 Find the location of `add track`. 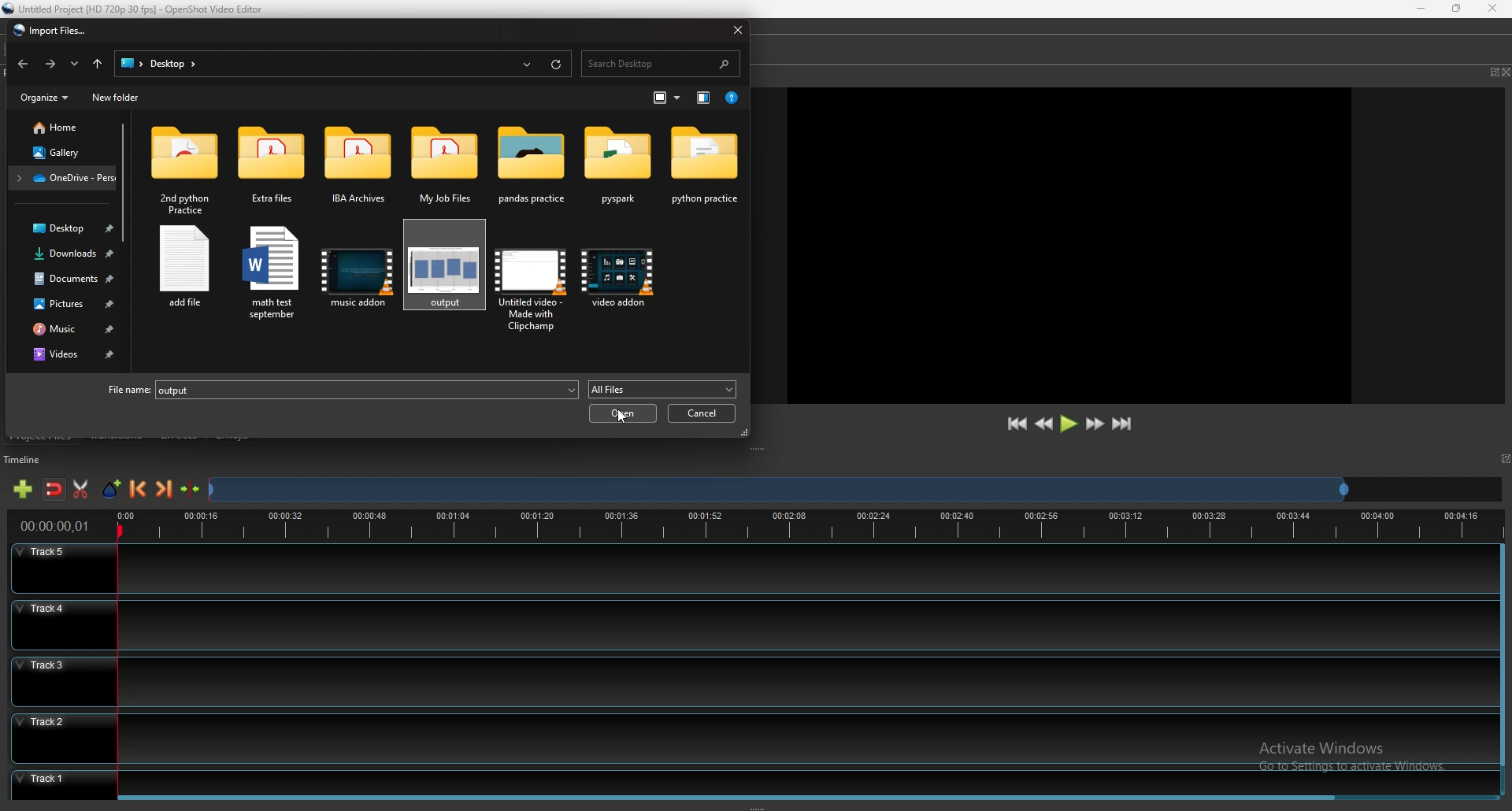

add track is located at coordinates (23, 489).